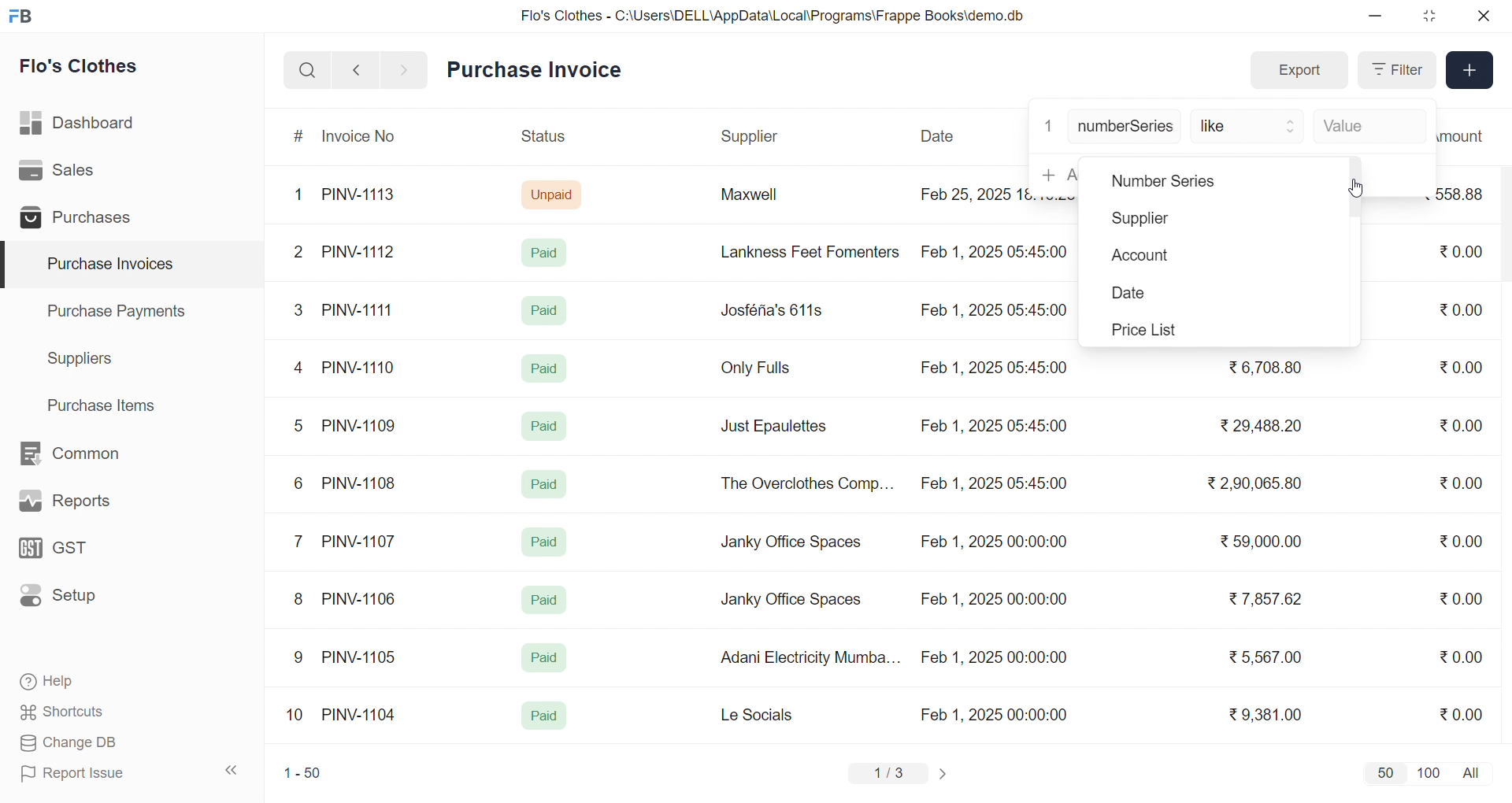 The width and height of the screenshot is (1512, 803). What do you see at coordinates (1262, 657) in the screenshot?
I see `₹ 5,567.00` at bounding box center [1262, 657].